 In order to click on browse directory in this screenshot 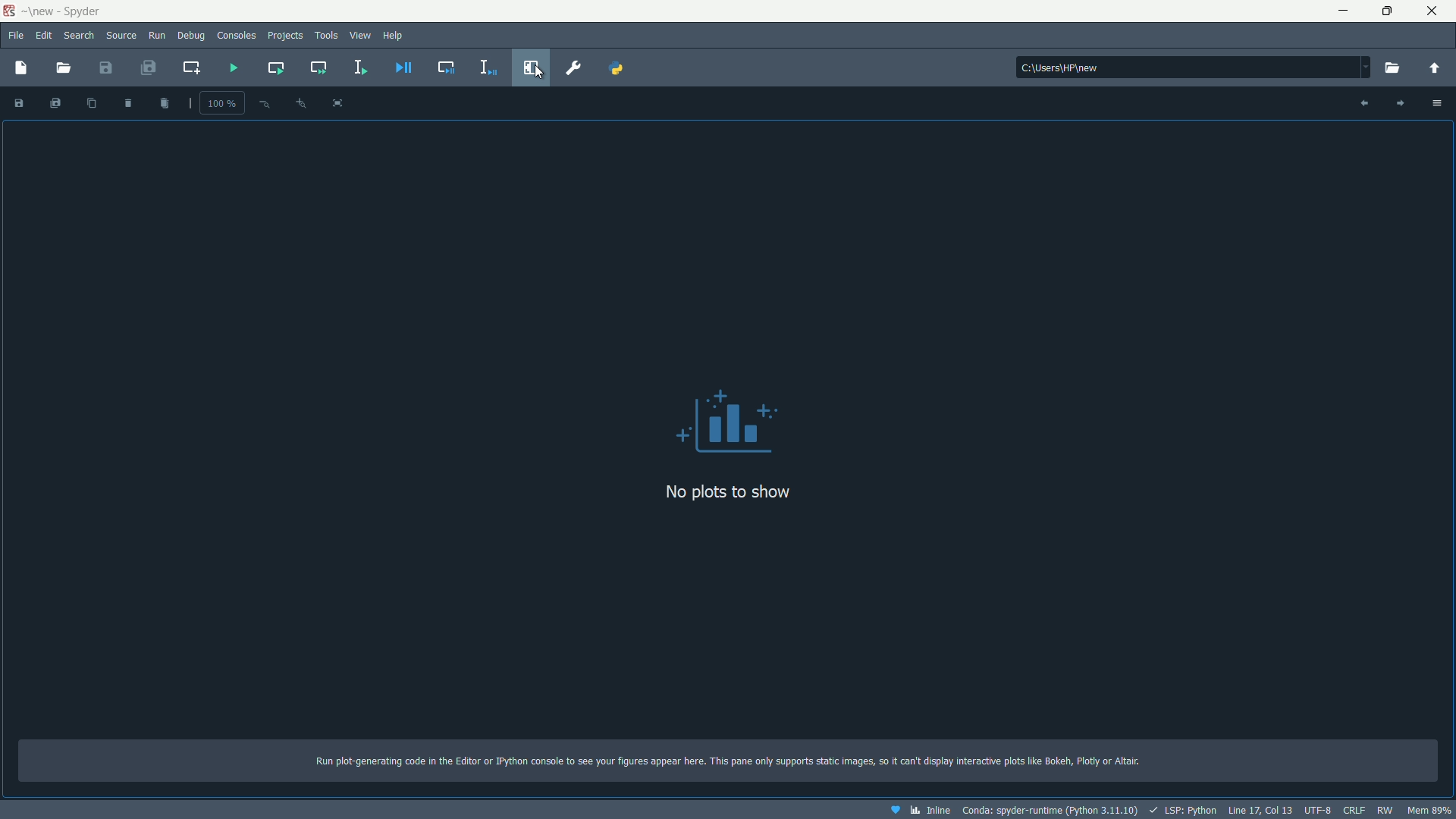, I will do `click(1392, 67)`.